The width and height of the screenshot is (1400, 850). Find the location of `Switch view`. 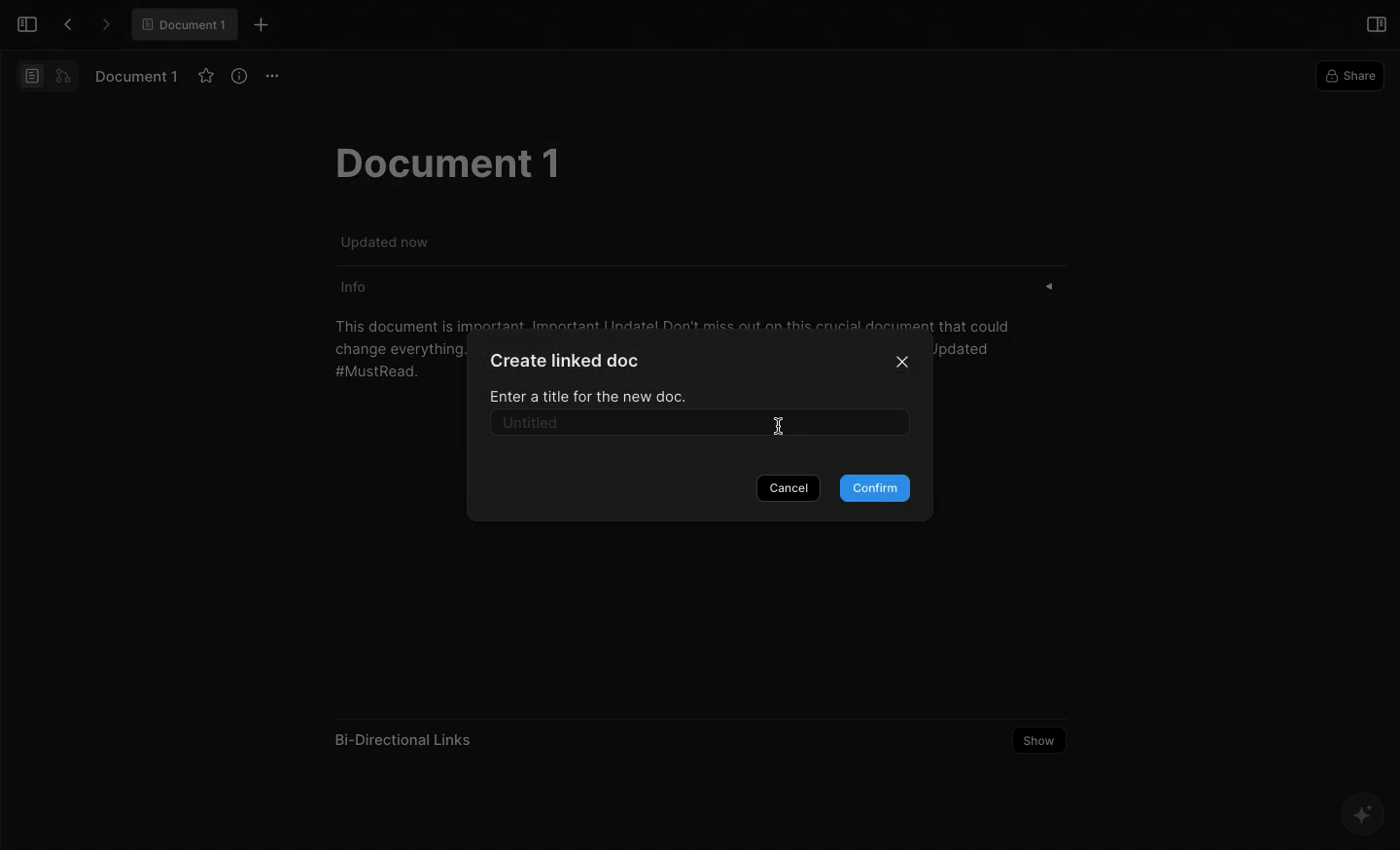

Switch view is located at coordinates (46, 76).